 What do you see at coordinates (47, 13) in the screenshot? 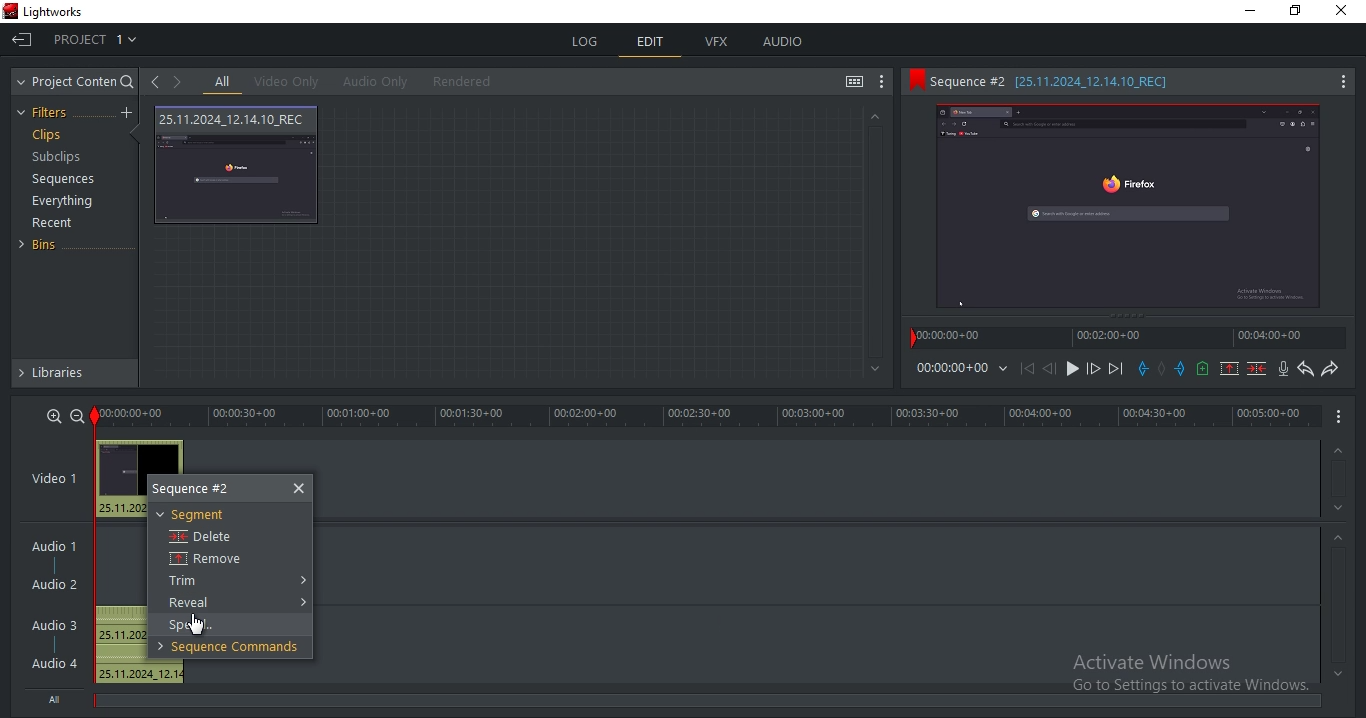
I see `app title` at bounding box center [47, 13].